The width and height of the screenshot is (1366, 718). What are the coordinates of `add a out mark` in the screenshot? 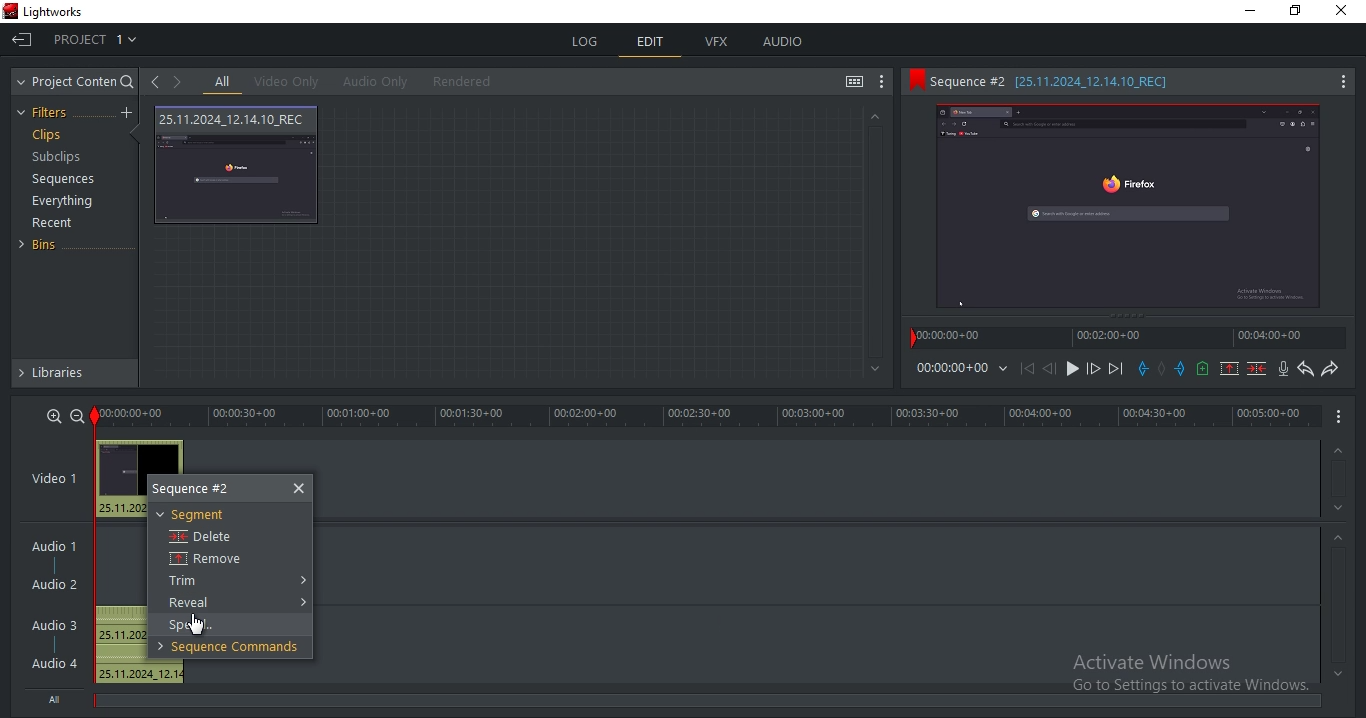 It's located at (1180, 368).